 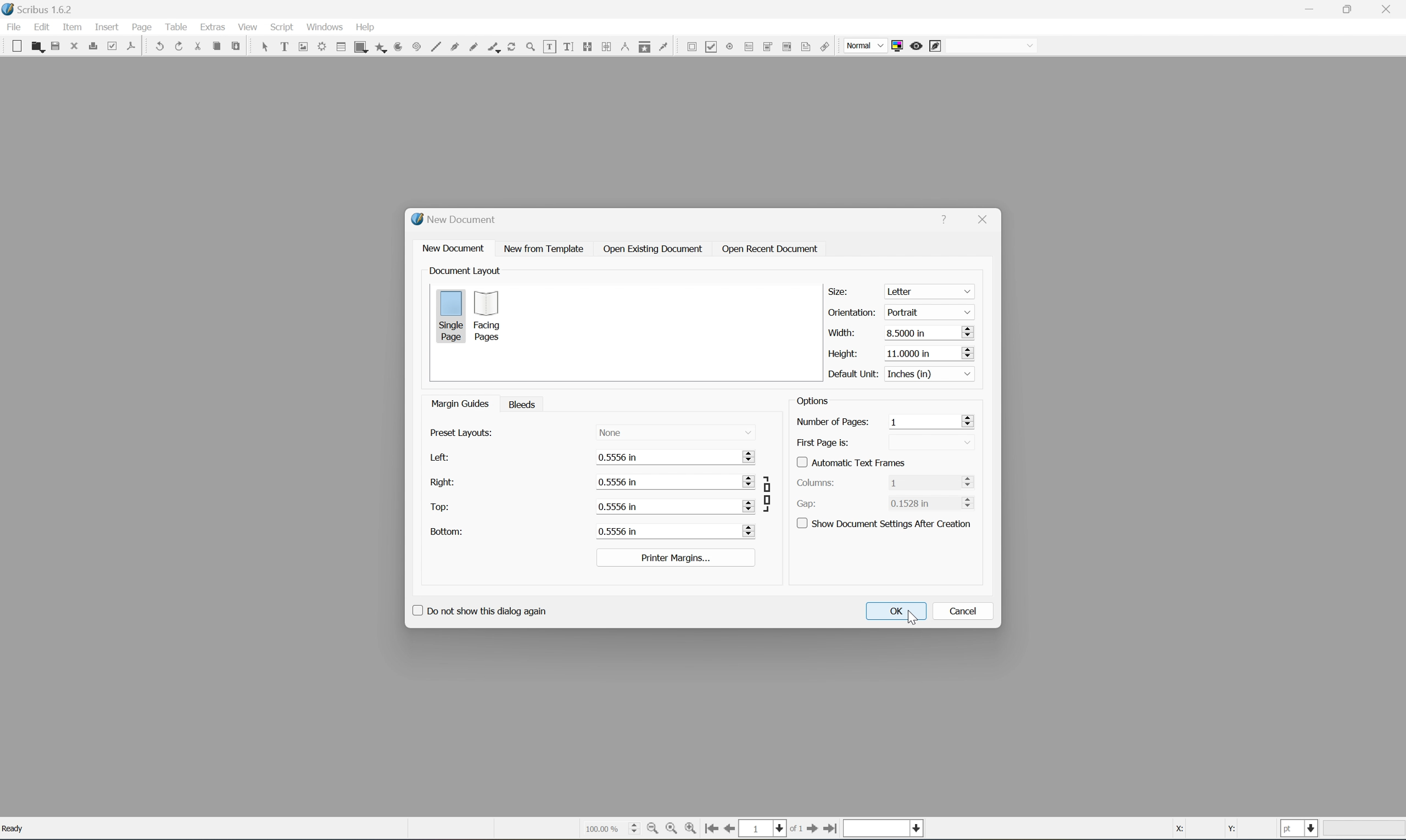 I want to click on show document settings after creation, so click(x=888, y=521).